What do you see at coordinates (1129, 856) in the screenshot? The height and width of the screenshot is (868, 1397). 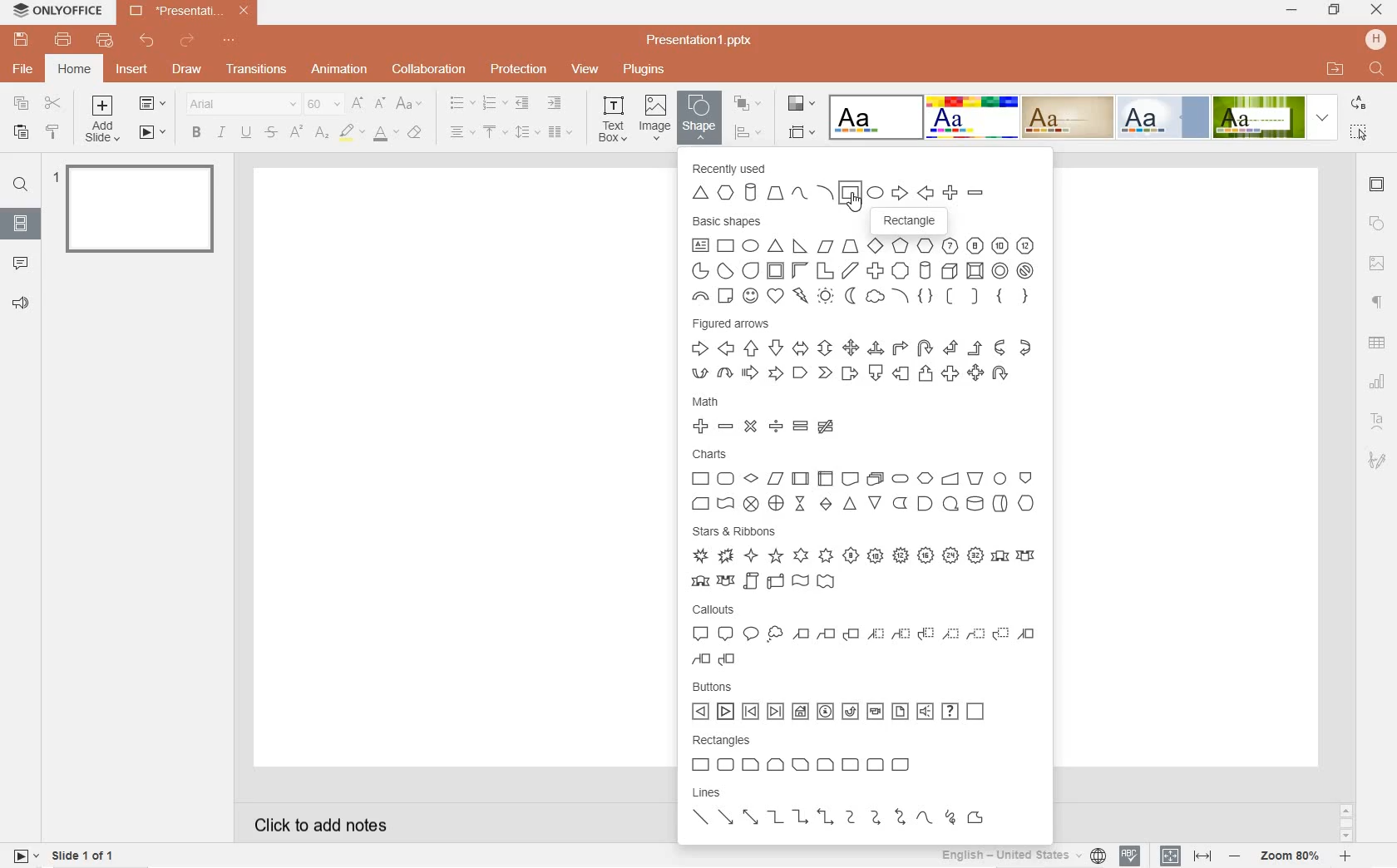 I see `spell checking` at bounding box center [1129, 856].